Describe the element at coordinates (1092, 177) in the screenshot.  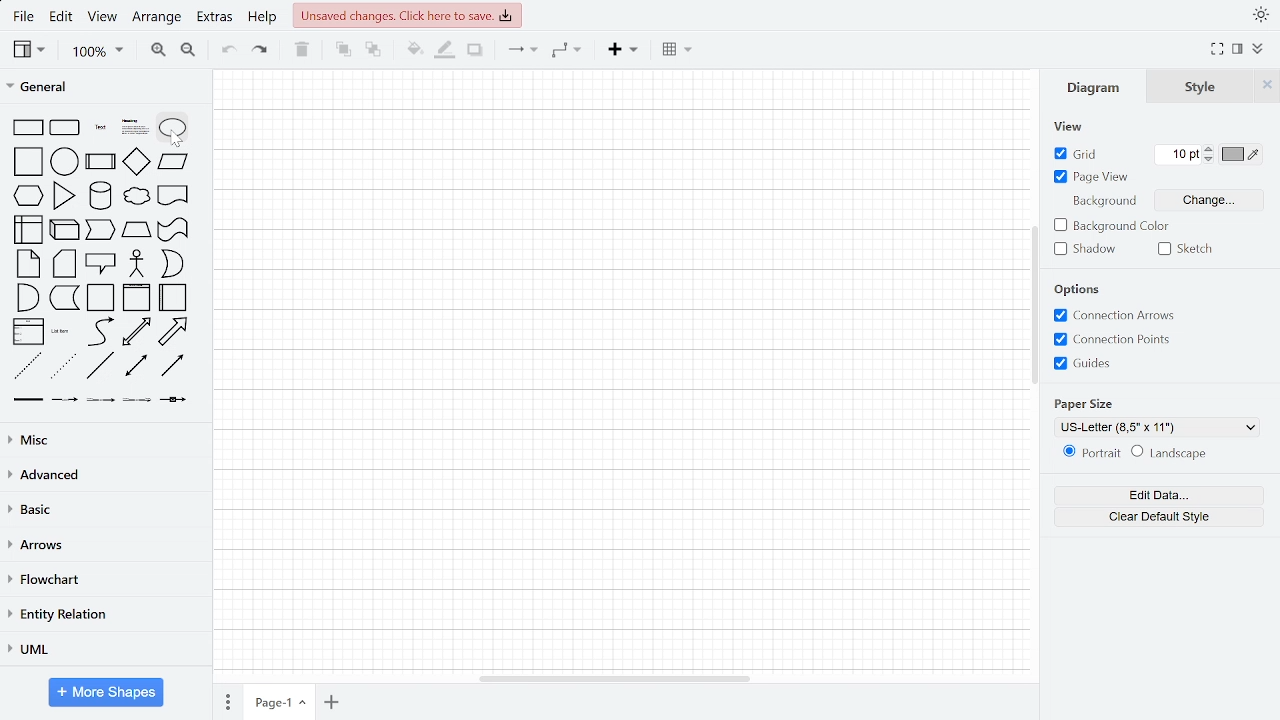
I see `Page view` at that location.